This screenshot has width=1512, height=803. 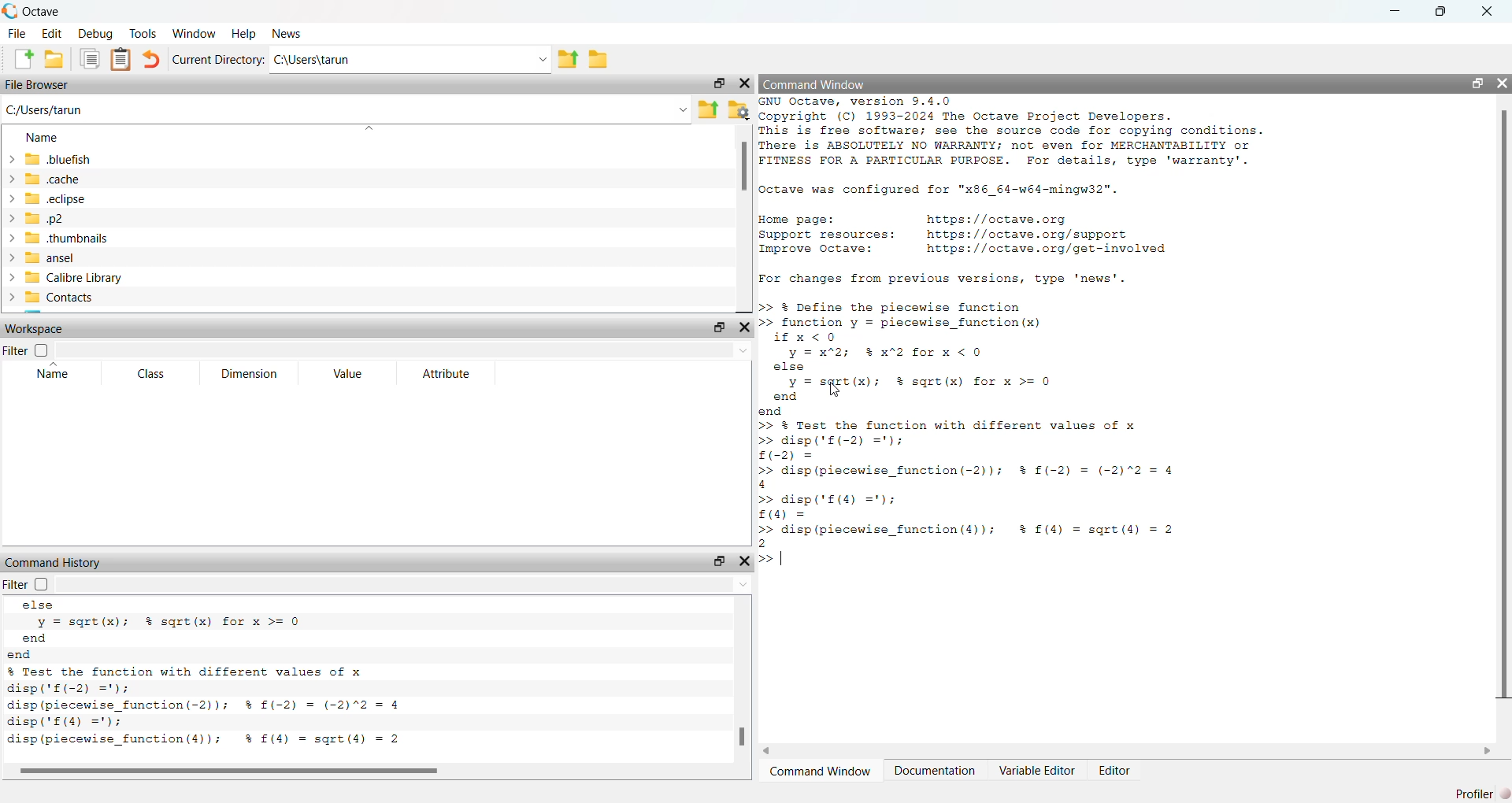 What do you see at coordinates (1001, 424) in the screenshot?
I see `>> § Define the piecewise function
>> function y = piecewise_function (x)
if x <0
y= x"2; % x2 for x < 0
else
¥ = s@Ee); % sart(x) for x >= 0
end
end
>> % Test the function with different values of x
>> disp('£(-2) =");
£(-2) =
>> disp (piecewise function(-2)); % £(-2) = (-2)"2 = 4
4
>> disp ('£(4) =");
£(4) =
>> disp (piecewise function(4)); 3% £(4) = sqrt(4) = 2
2` at bounding box center [1001, 424].